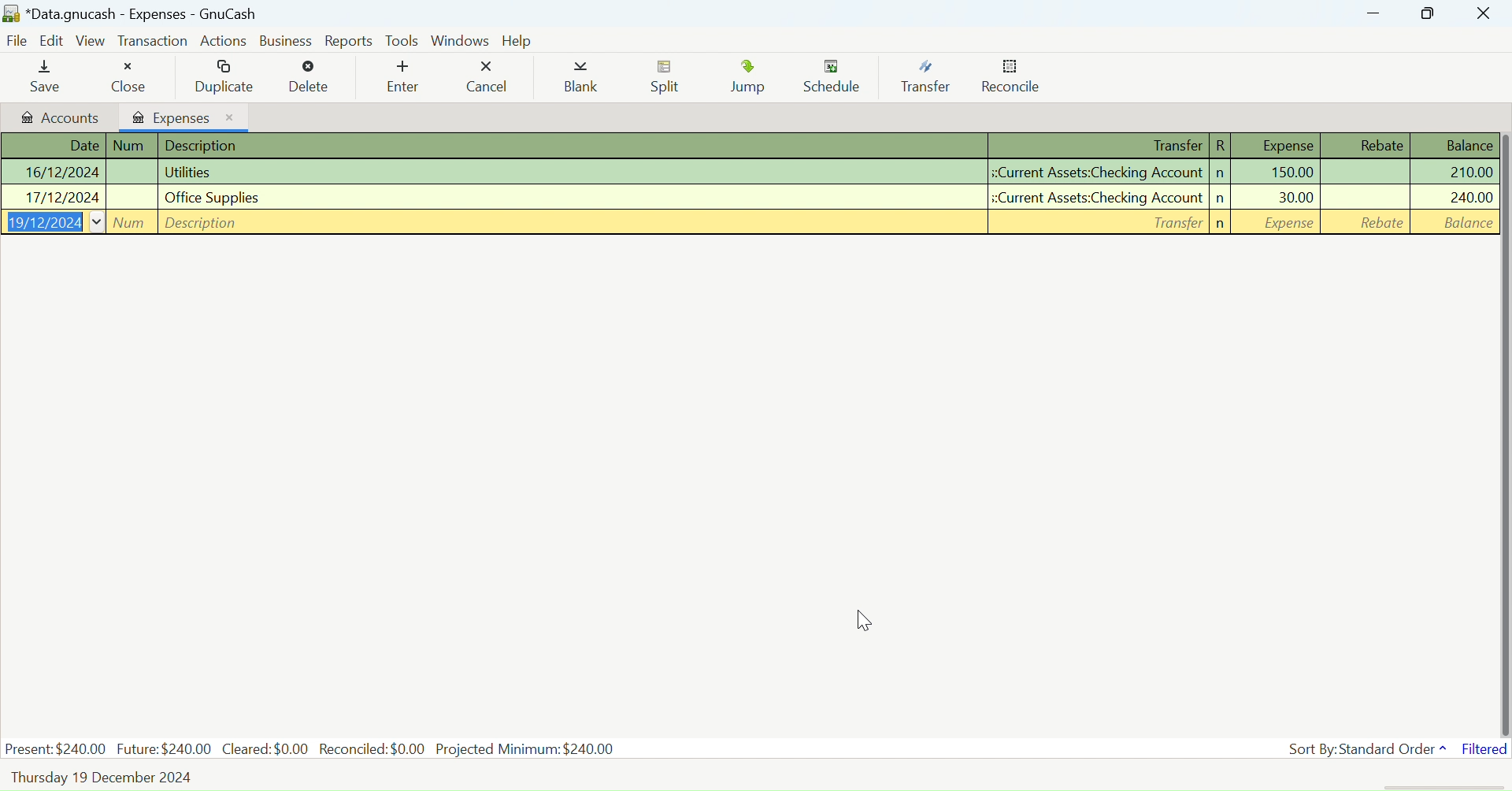 The height and width of the screenshot is (791, 1512). I want to click on Expenses, so click(186, 117).